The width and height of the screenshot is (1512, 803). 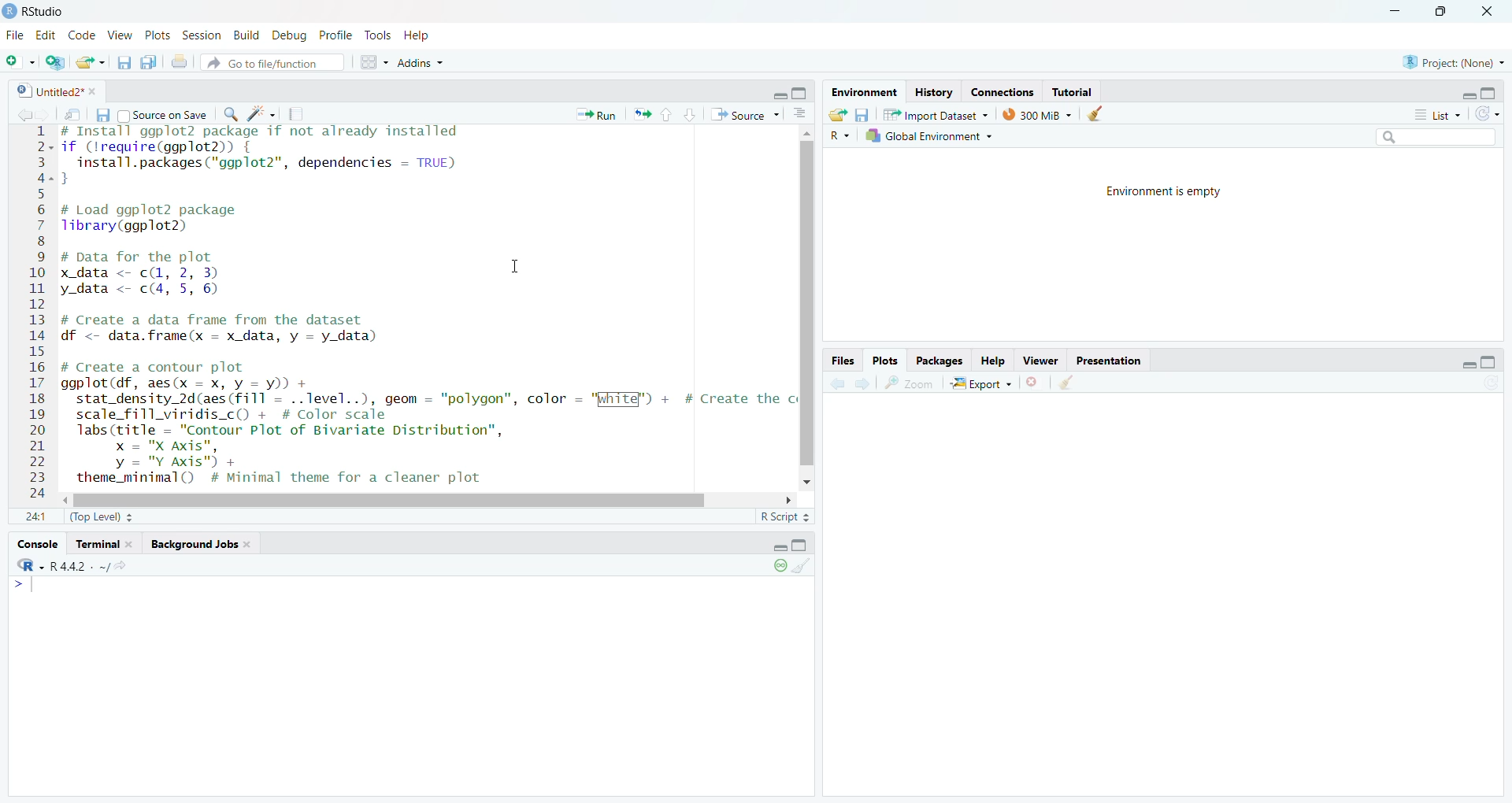 I want to click on save all open documents, so click(x=149, y=62).